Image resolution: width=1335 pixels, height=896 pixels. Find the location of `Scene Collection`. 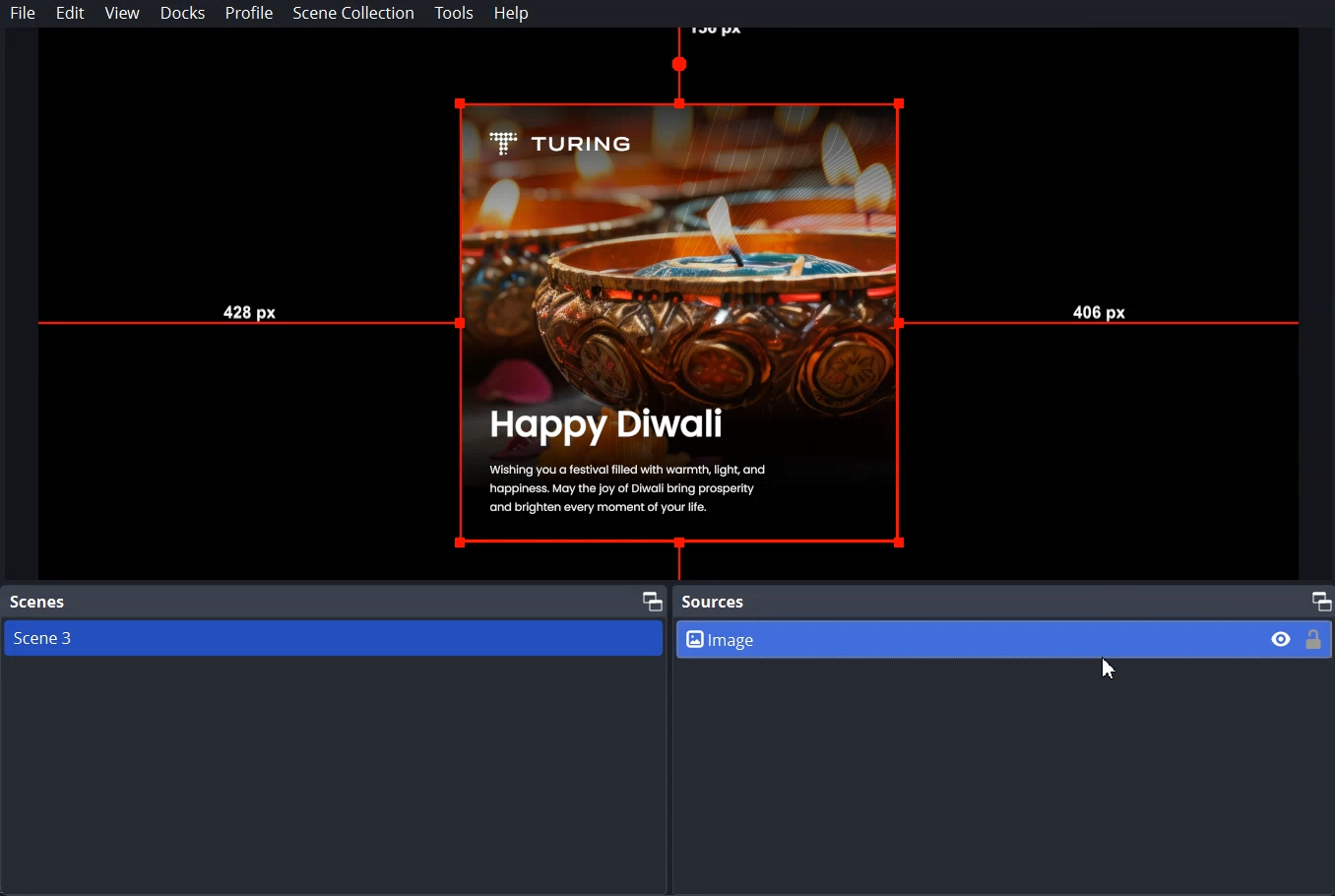

Scene Collection is located at coordinates (352, 13).